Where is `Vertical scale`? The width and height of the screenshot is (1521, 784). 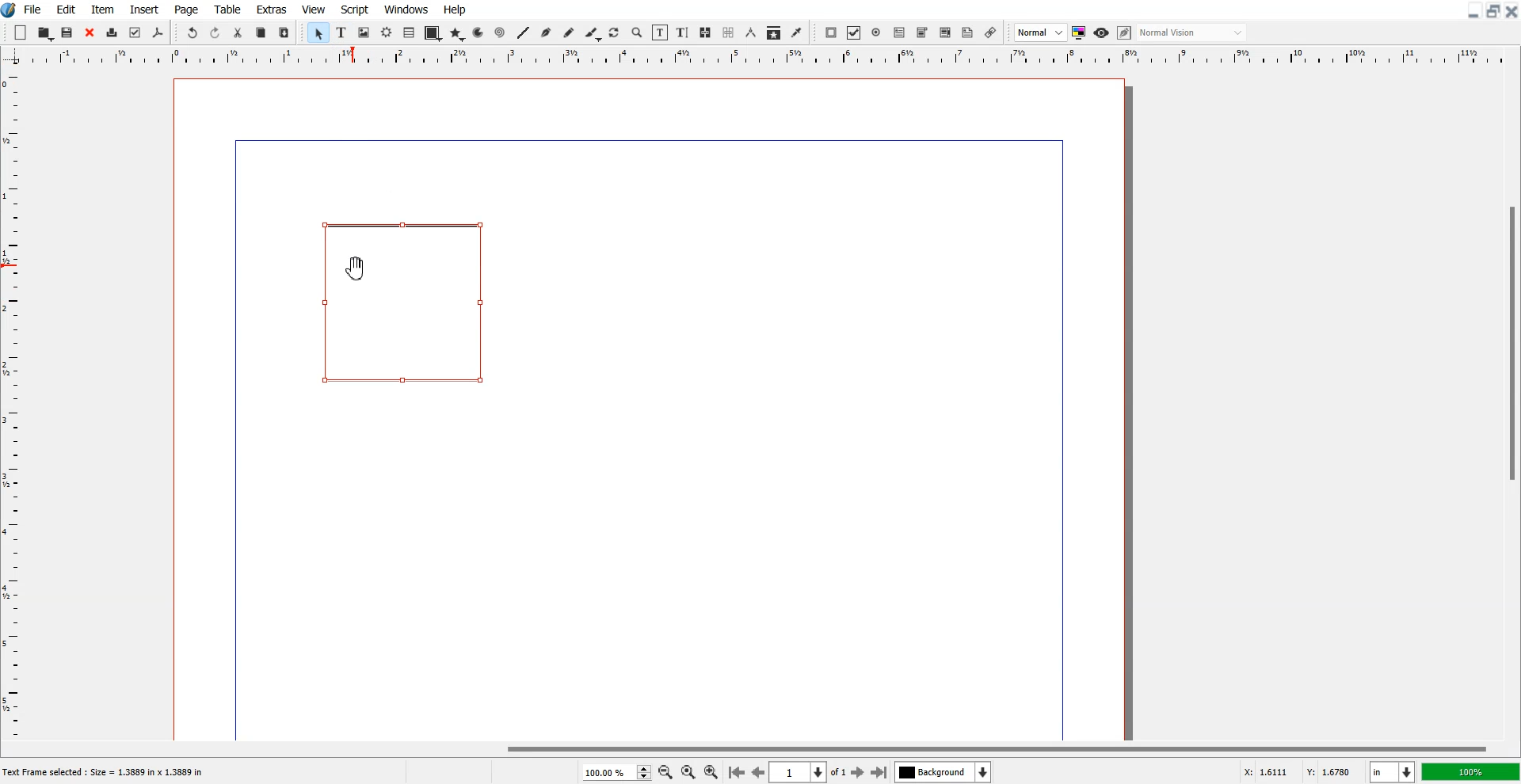
Vertical scale is located at coordinates (11, 393).